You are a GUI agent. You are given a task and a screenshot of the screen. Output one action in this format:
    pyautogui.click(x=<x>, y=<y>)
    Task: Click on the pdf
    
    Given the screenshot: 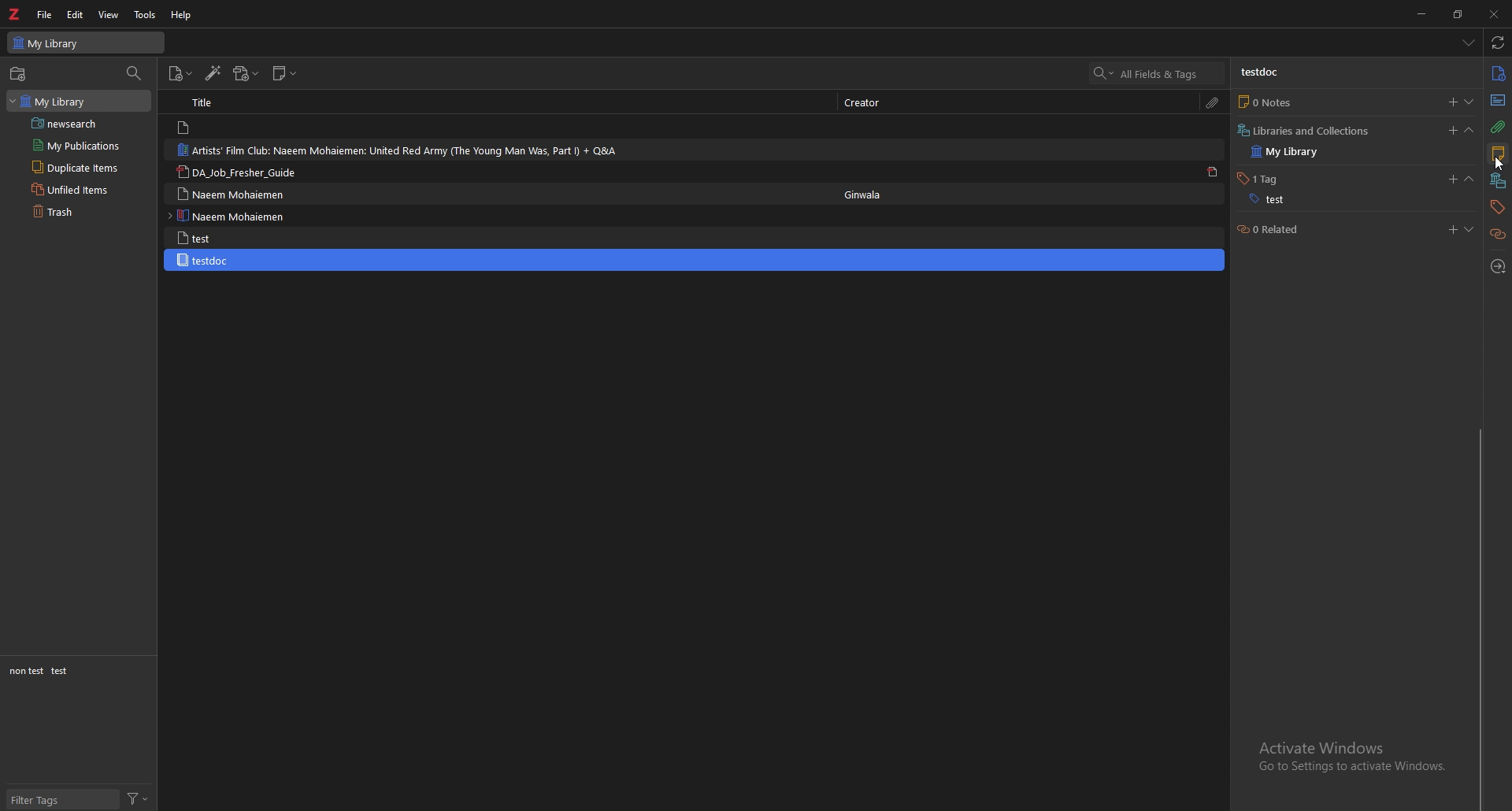 What is the action you would take?
    pyautogui.click(x=1212, y=172)
    